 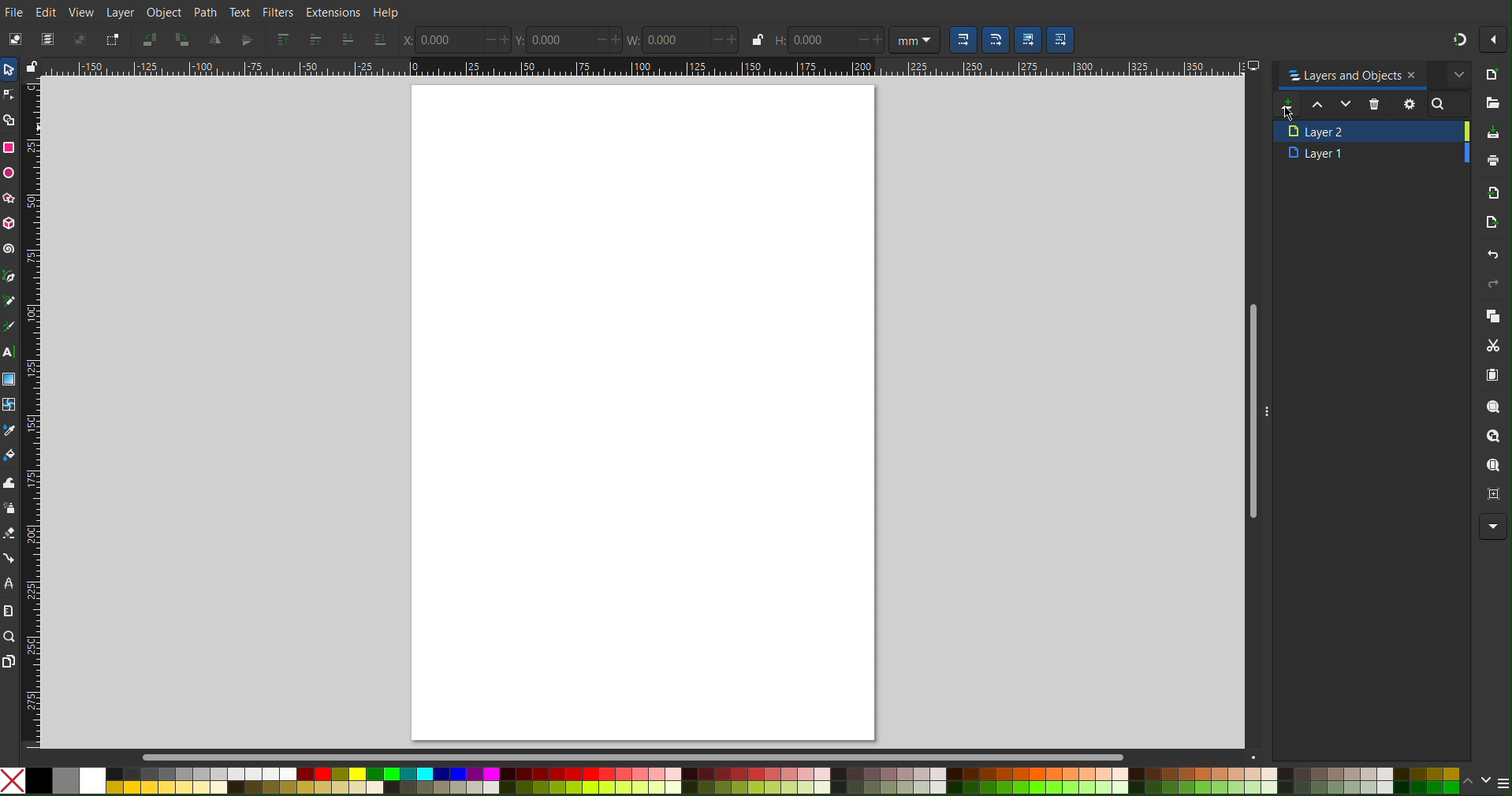 I want to click on Text Tool, so click(x=13, y=350).